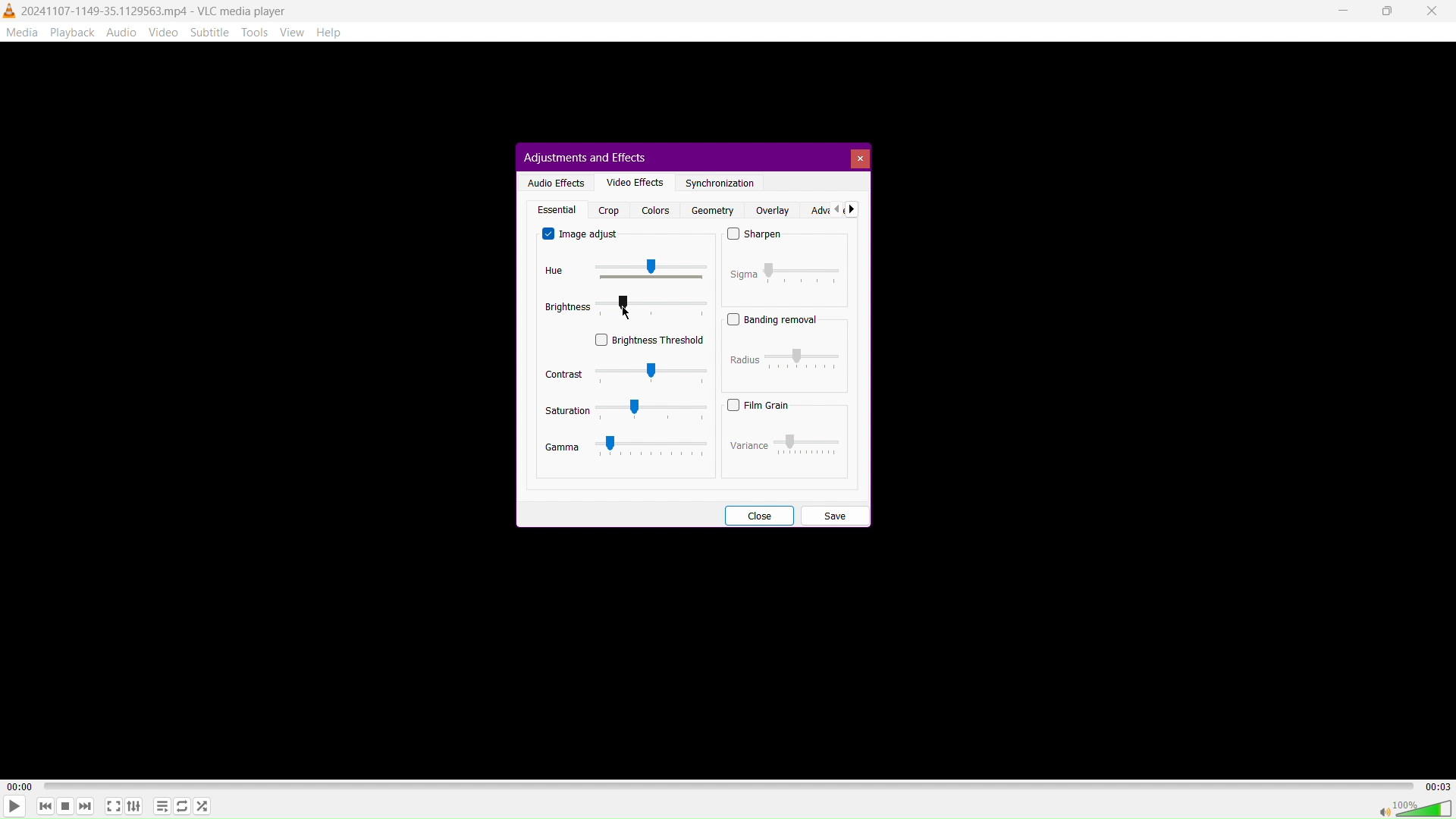  Describe the element at coordinates (211, 32) in the screenshot. I see `Subtitle` at that location.